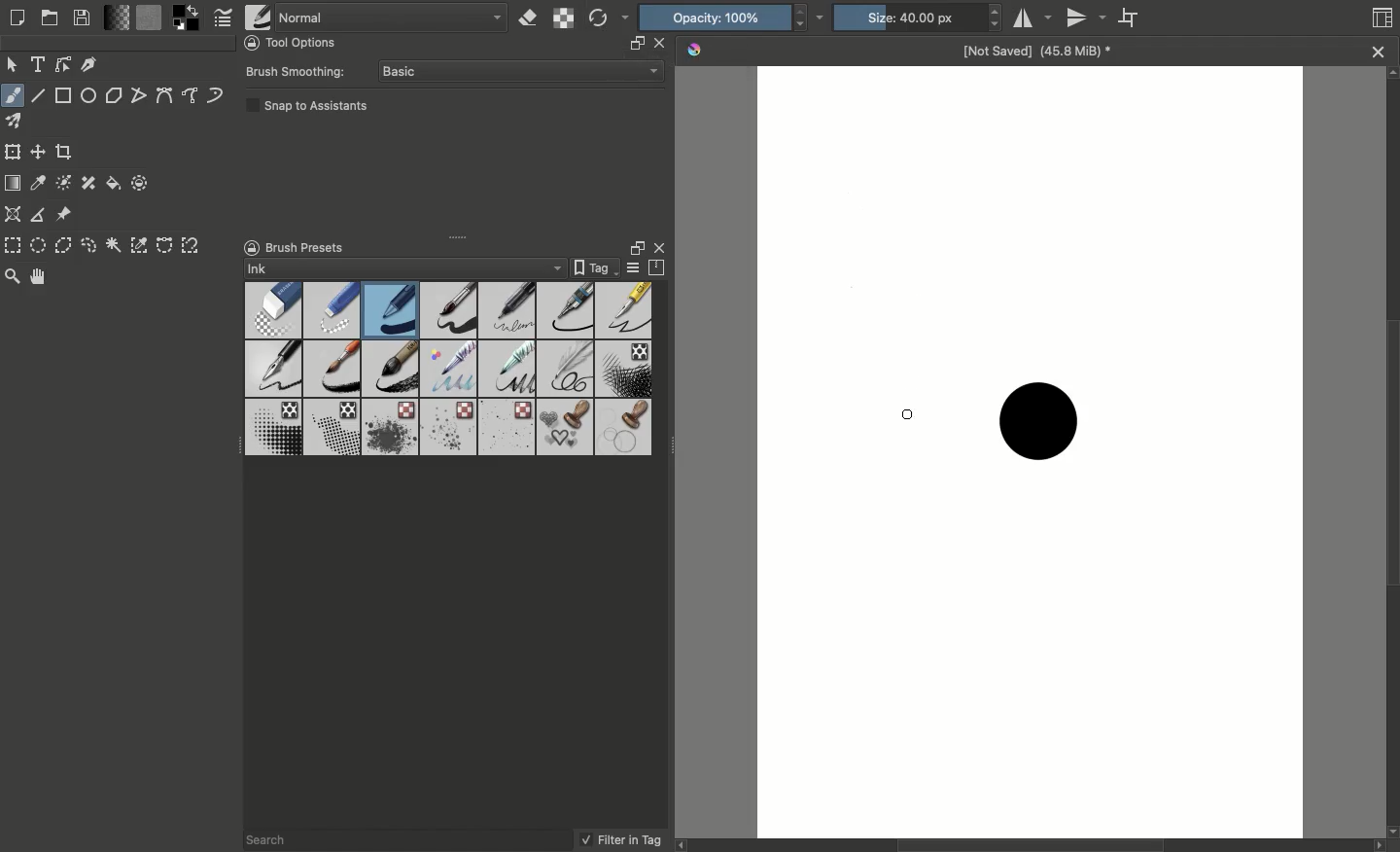 Image resolution: width=1400 pixels, height=852 pixels. What do you see at coordinates (140, 244) in the screenshot?
I see `Color selection tool` at bounding box center [140, 244].